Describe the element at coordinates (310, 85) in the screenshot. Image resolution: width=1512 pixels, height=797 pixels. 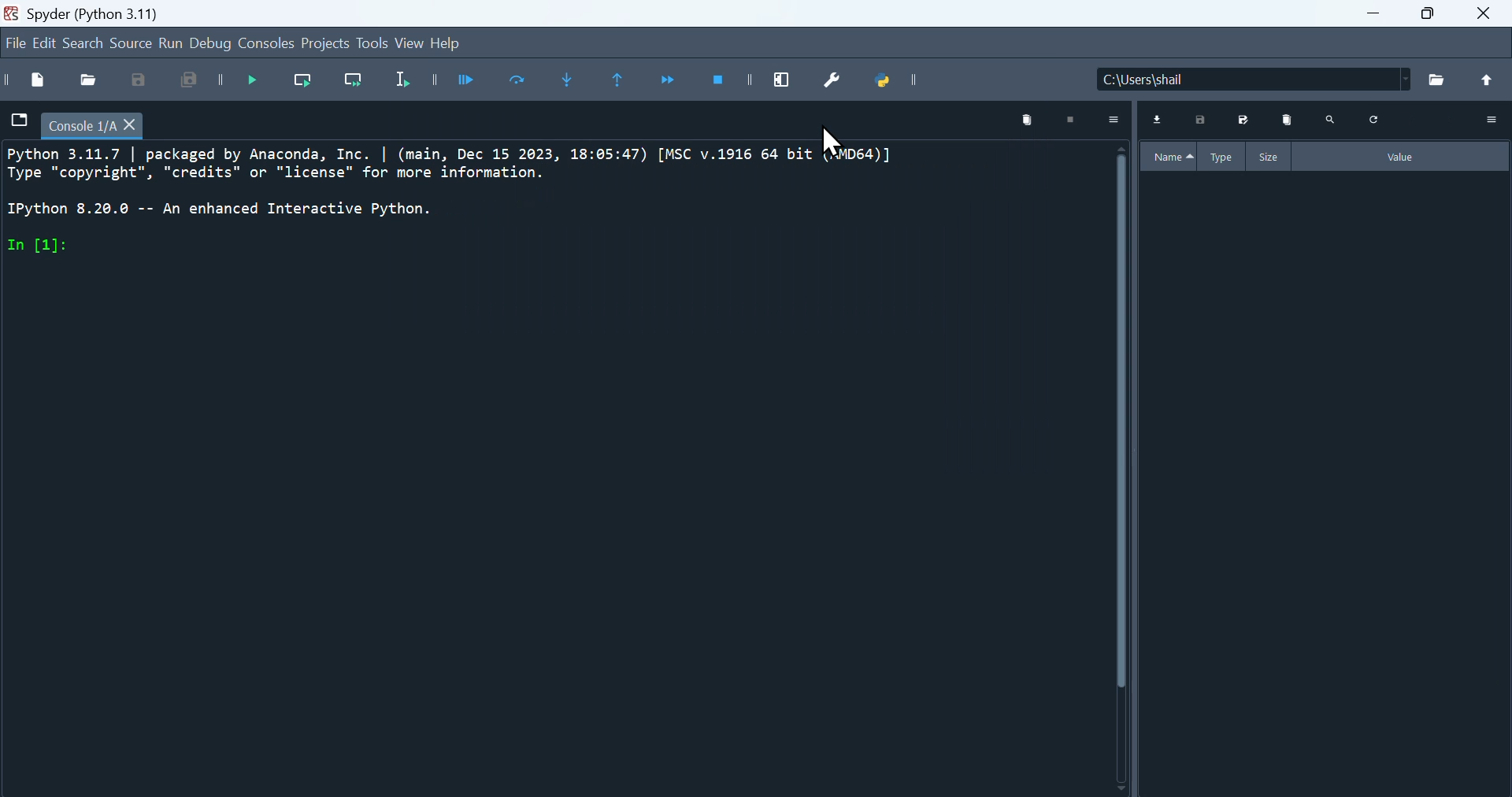
I see `Run current line` at that location.